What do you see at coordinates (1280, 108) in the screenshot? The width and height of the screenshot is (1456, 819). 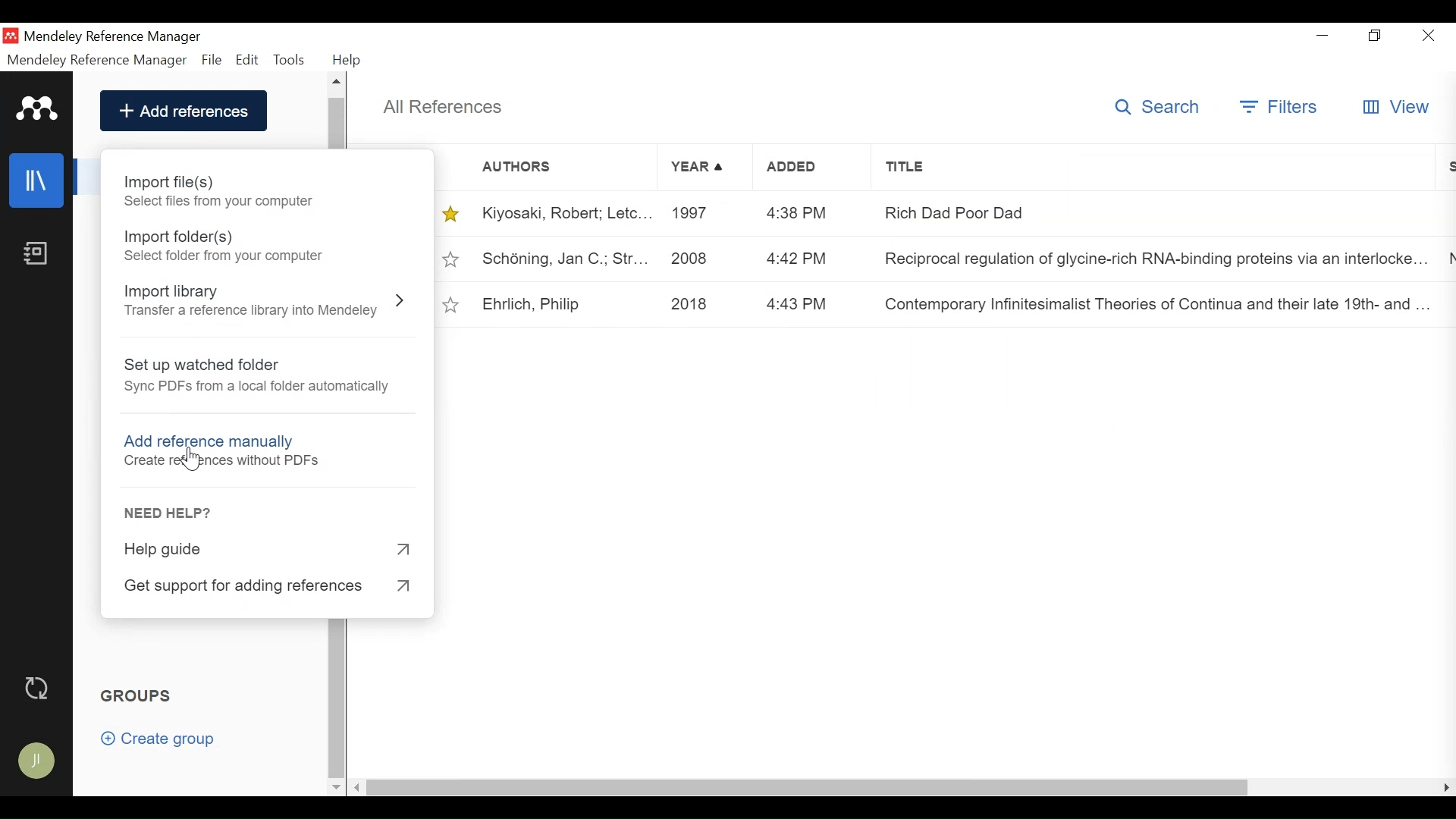 I see `Filter` at bounding box center [1280, 108].